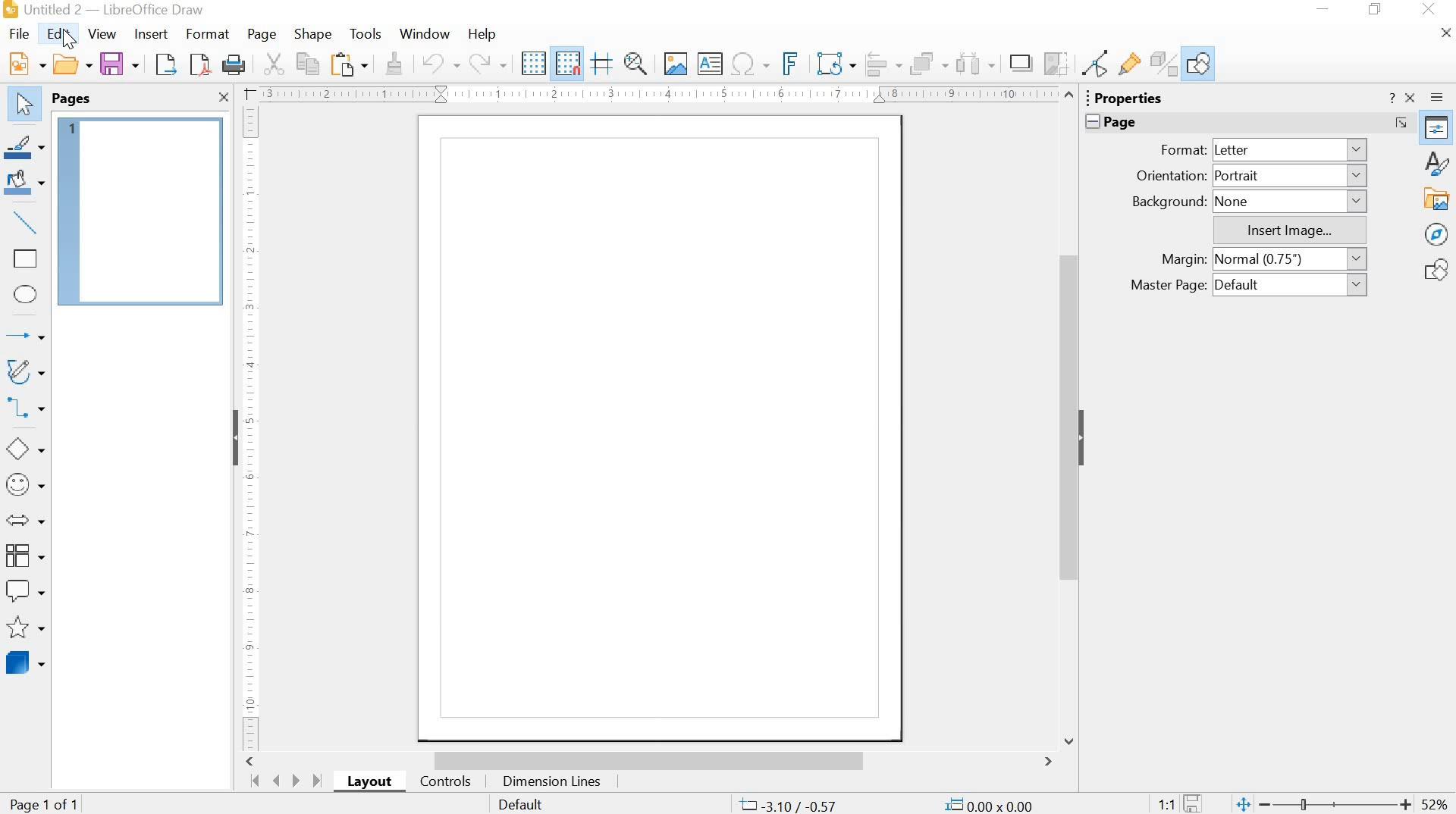 This screenshot has width=1456, height=814. What do you see at coordinates (1439, 97) in the screenshot?
I see `Sidebar Settings` at bounding box center [1439, 97].